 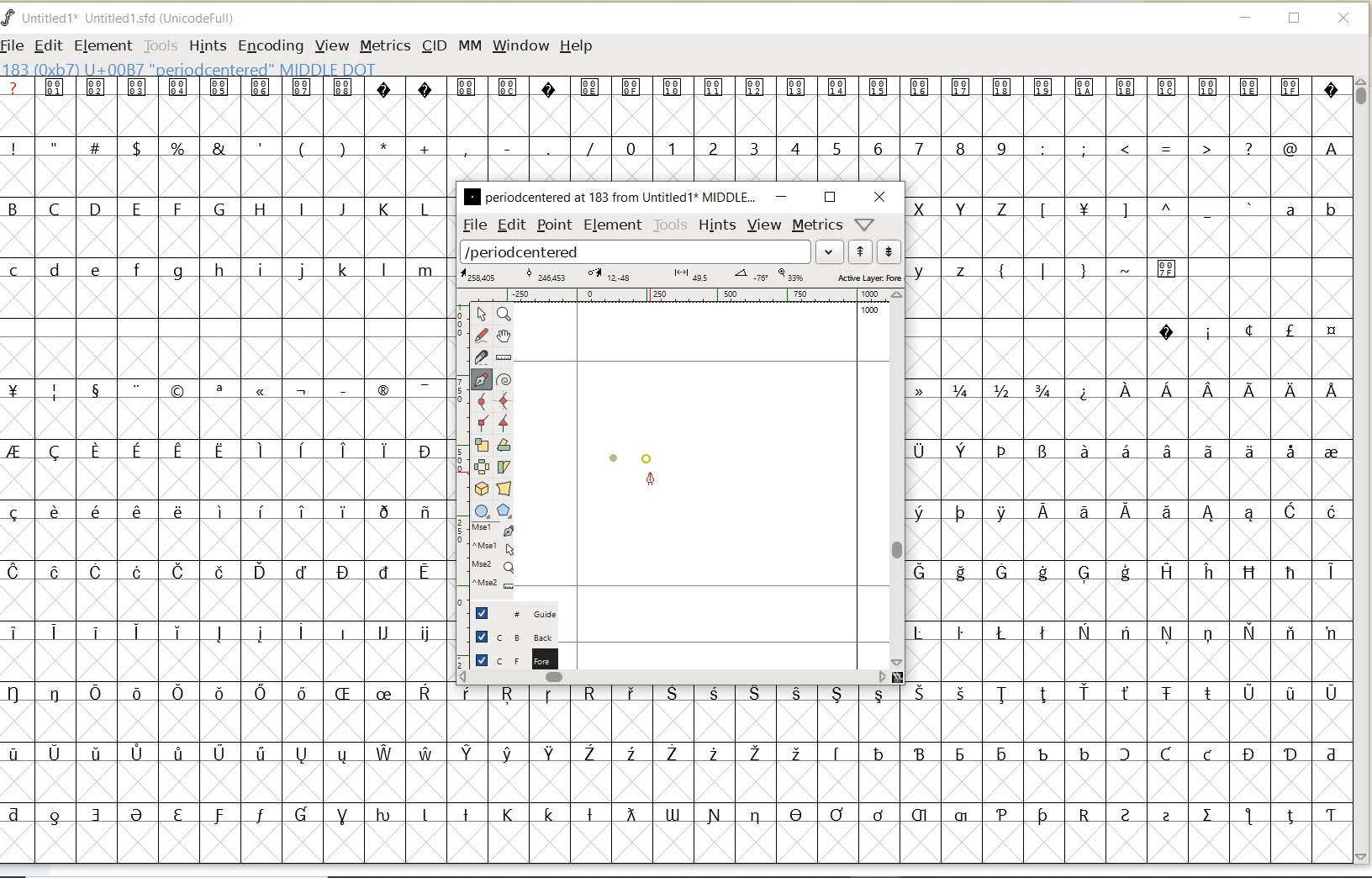 I want to click on lowercase letters, so click(x=950, y=269).